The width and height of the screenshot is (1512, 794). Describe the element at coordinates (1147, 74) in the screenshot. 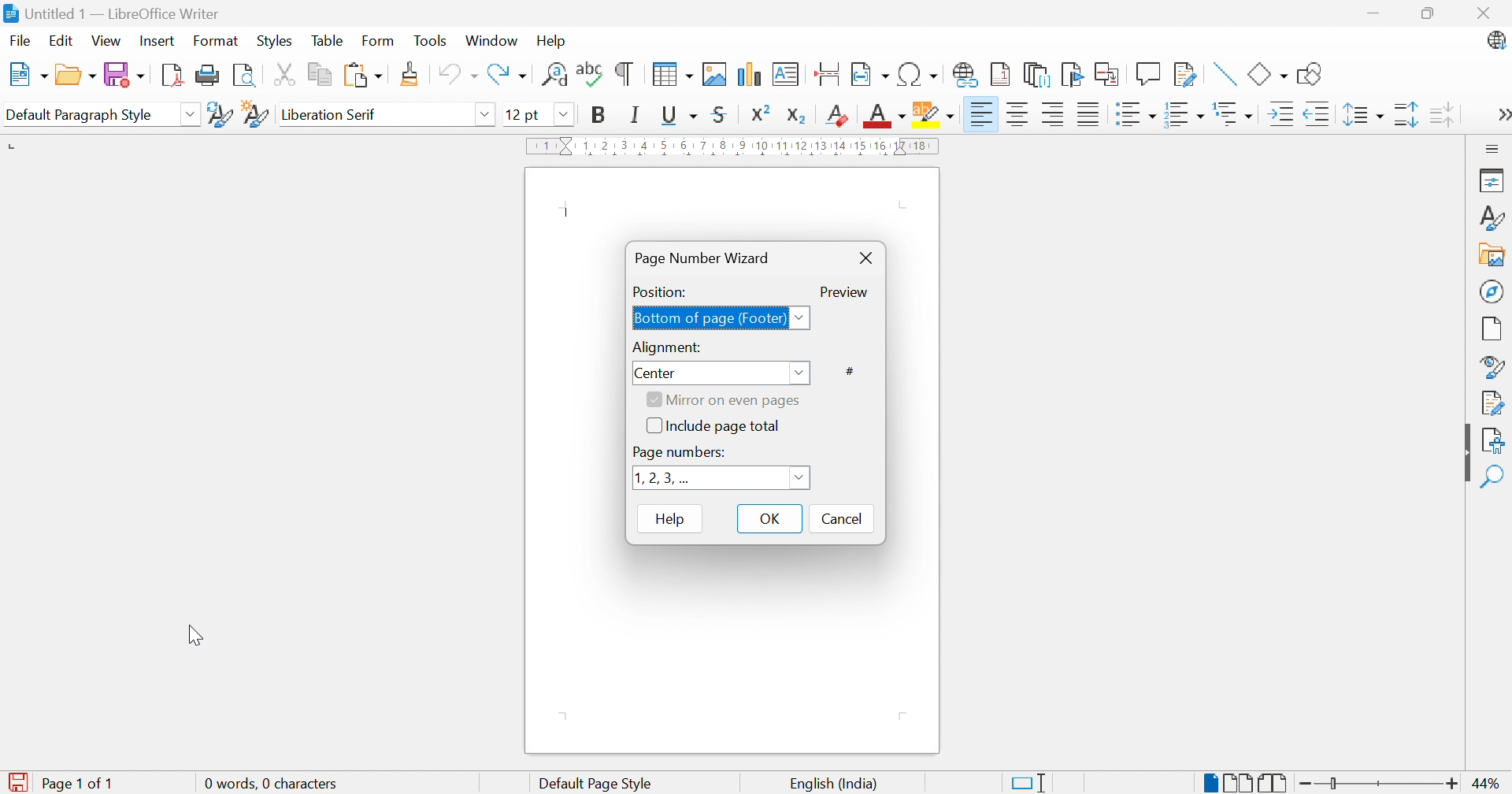

I see `Insert comment` at that location.